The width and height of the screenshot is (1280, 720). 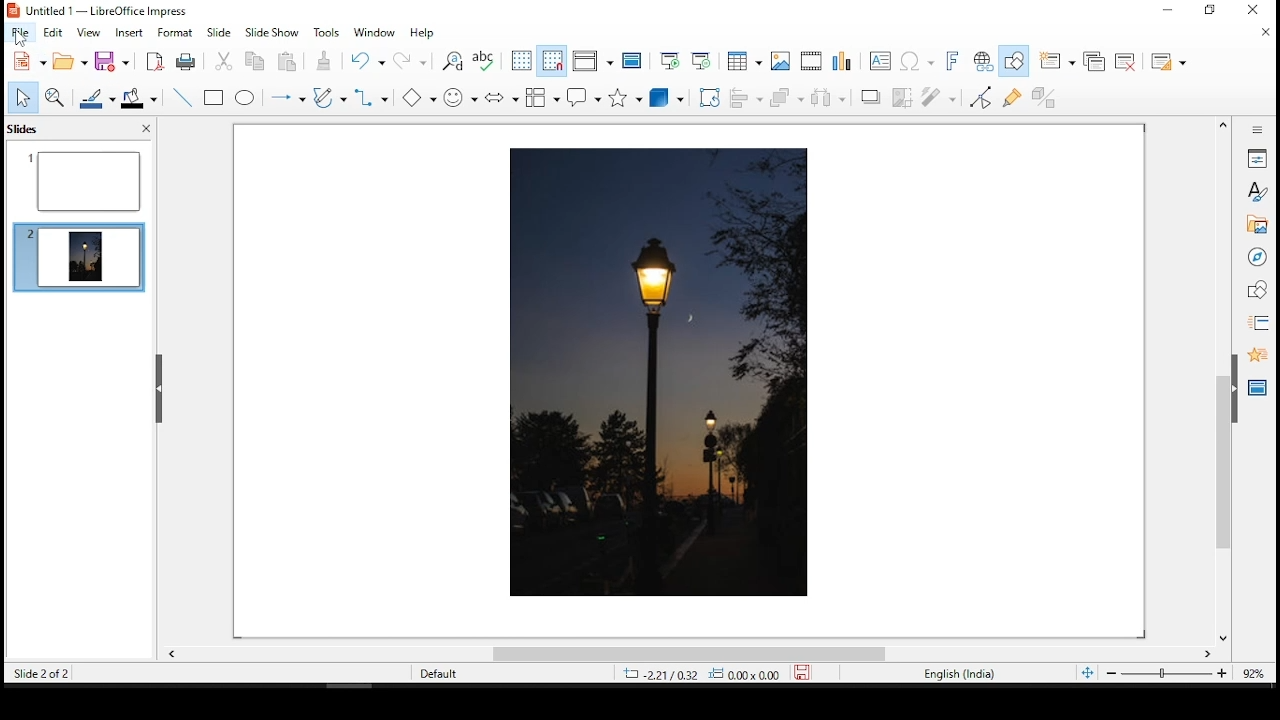 I want to click on slide layout, so click(x=1169, y=61).